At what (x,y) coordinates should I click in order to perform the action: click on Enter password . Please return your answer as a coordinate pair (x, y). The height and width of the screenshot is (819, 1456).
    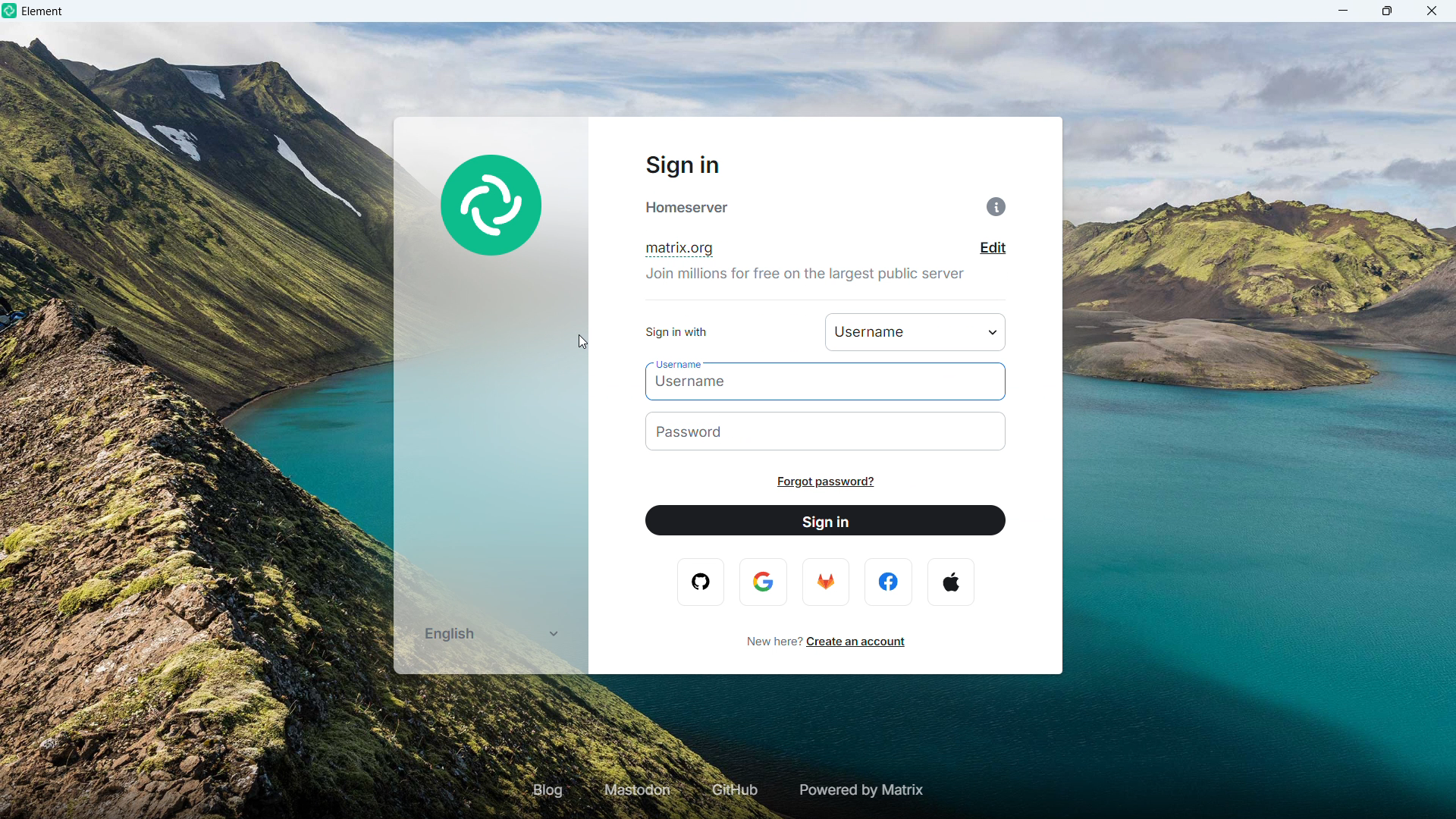
    Looking at the image, I should click on (827, 431).